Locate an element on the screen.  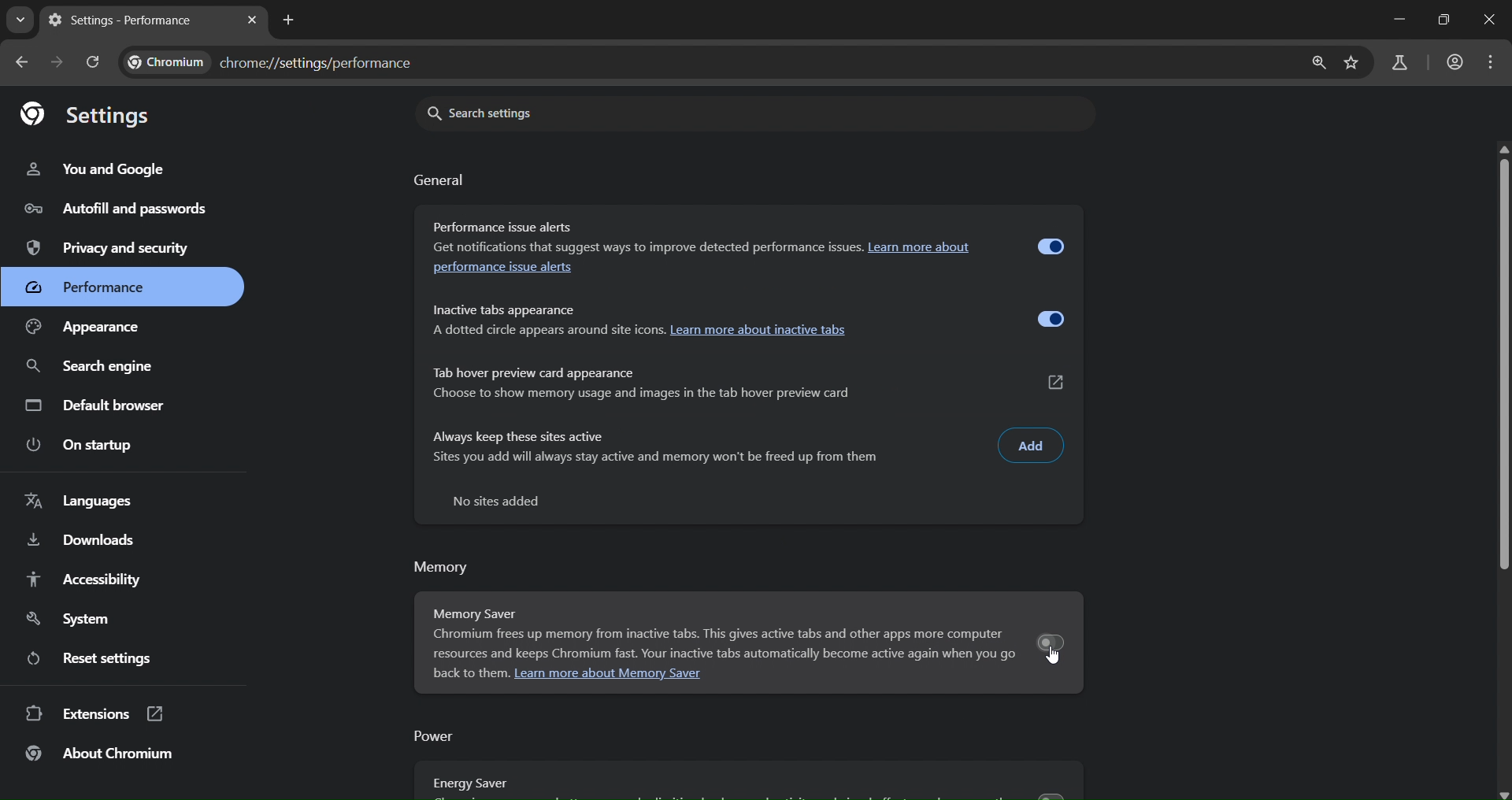
inactive tabs appearance is located at coordinates (504, 309).